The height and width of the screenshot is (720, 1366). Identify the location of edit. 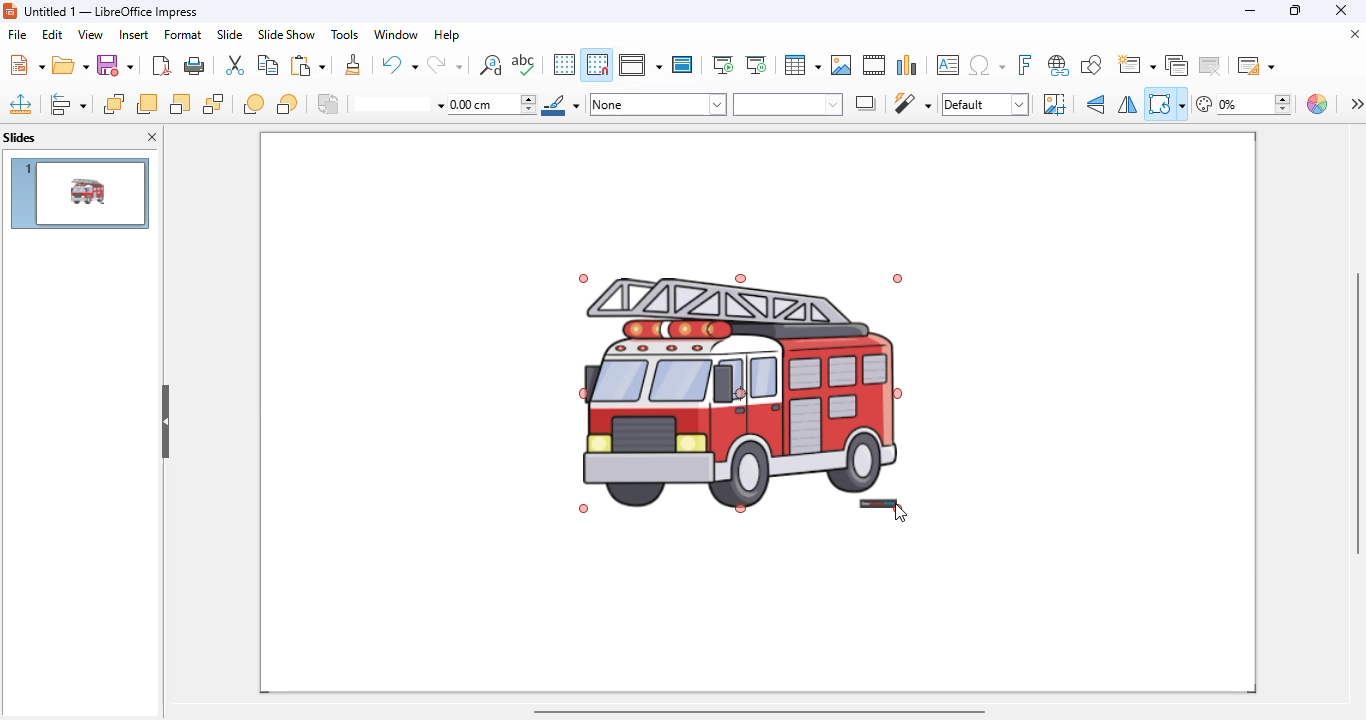
(52, 34).